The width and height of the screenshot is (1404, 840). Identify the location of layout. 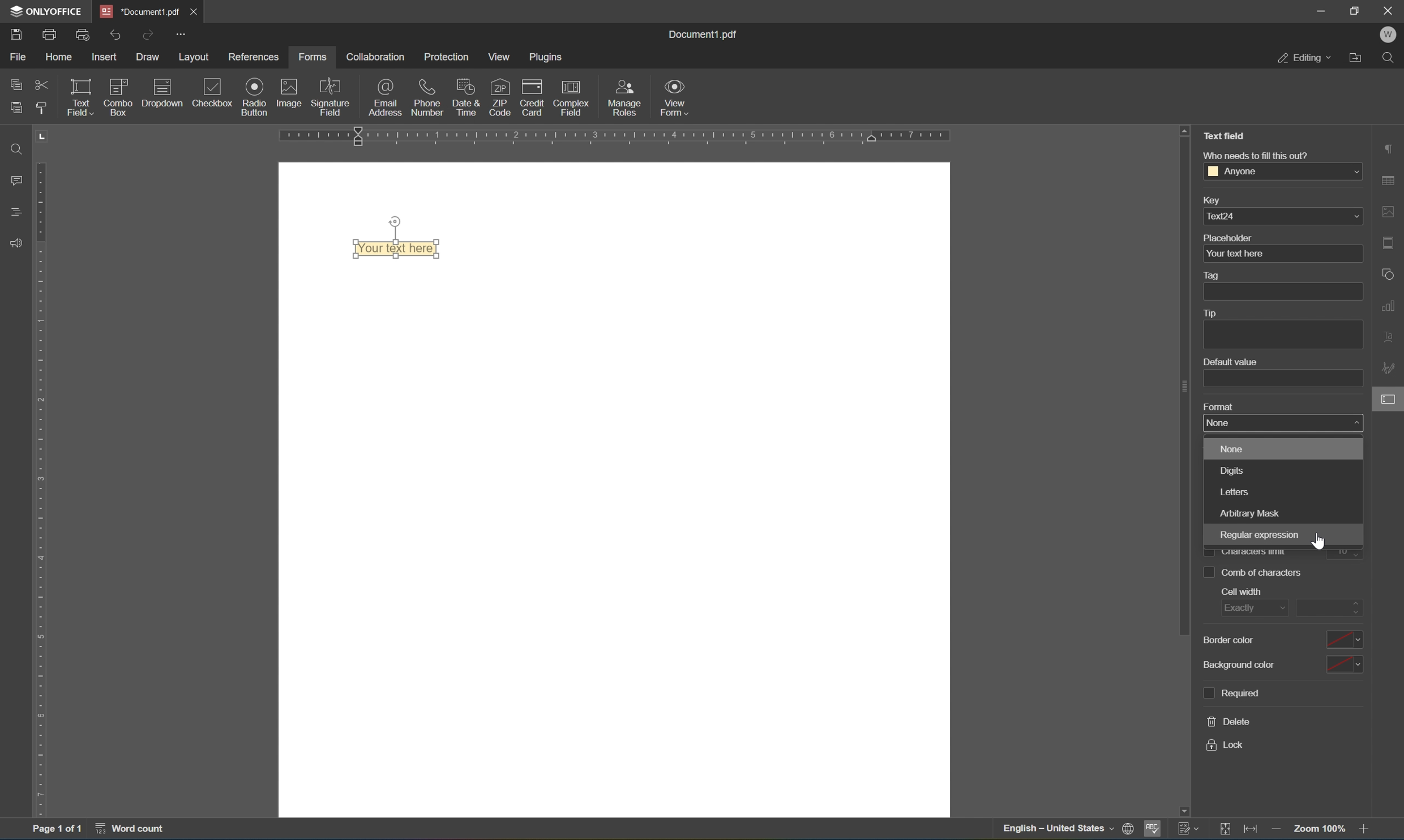
(196, 58).